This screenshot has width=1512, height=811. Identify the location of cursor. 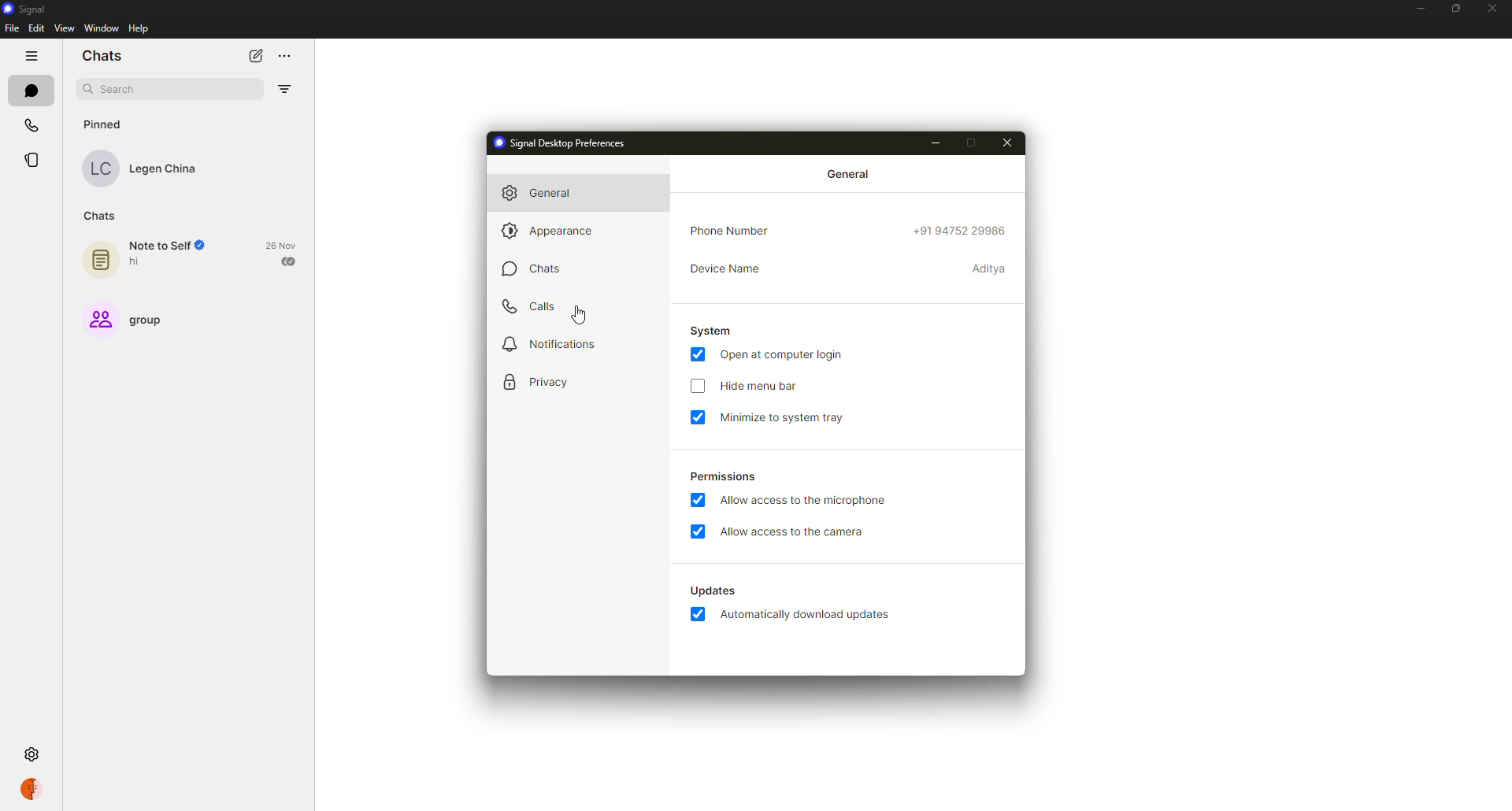
(584, 314).